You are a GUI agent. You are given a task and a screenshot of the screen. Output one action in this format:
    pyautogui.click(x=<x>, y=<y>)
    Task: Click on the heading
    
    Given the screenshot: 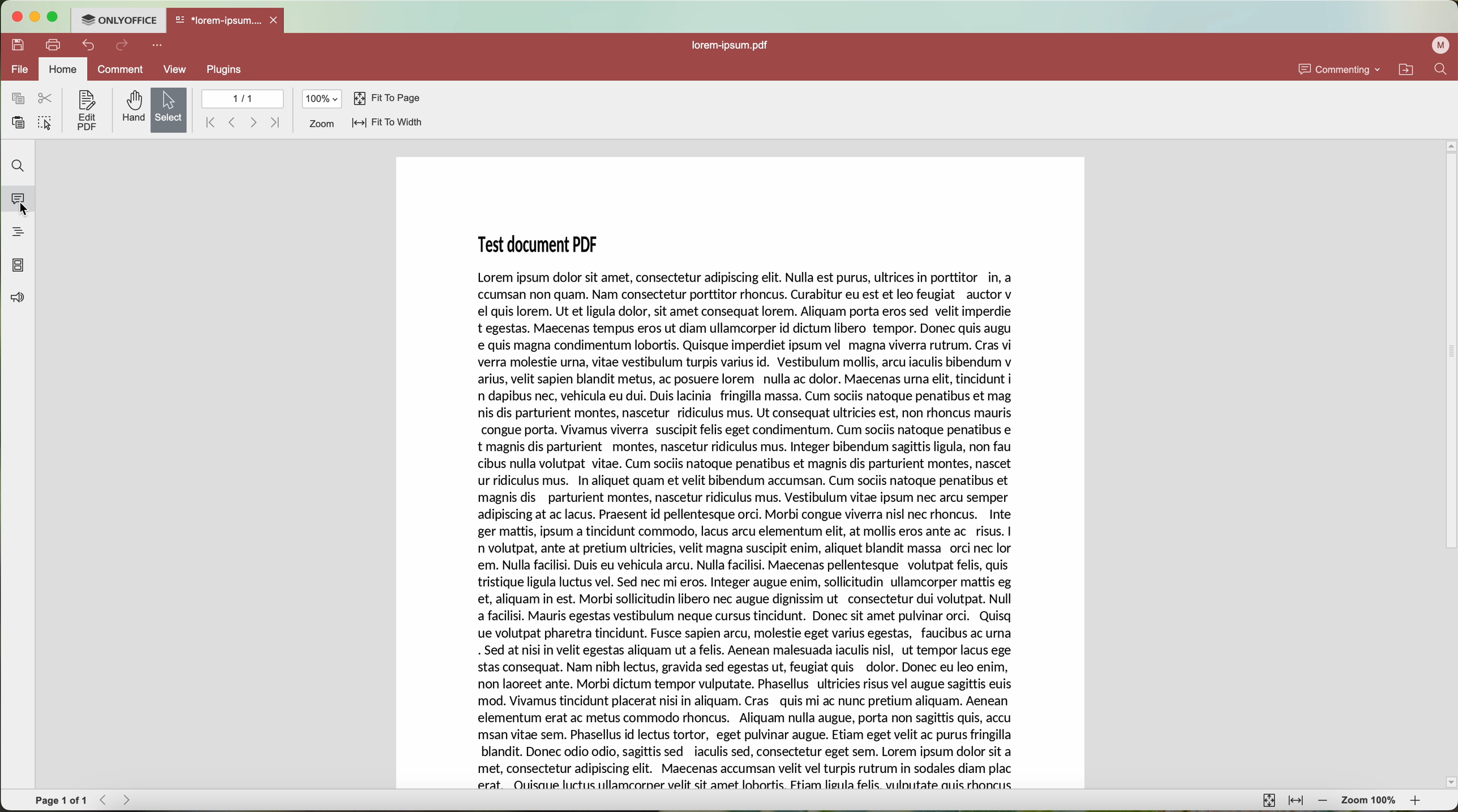 What is the action you would take?
    pyautogui.click(x=19, y=231)
    